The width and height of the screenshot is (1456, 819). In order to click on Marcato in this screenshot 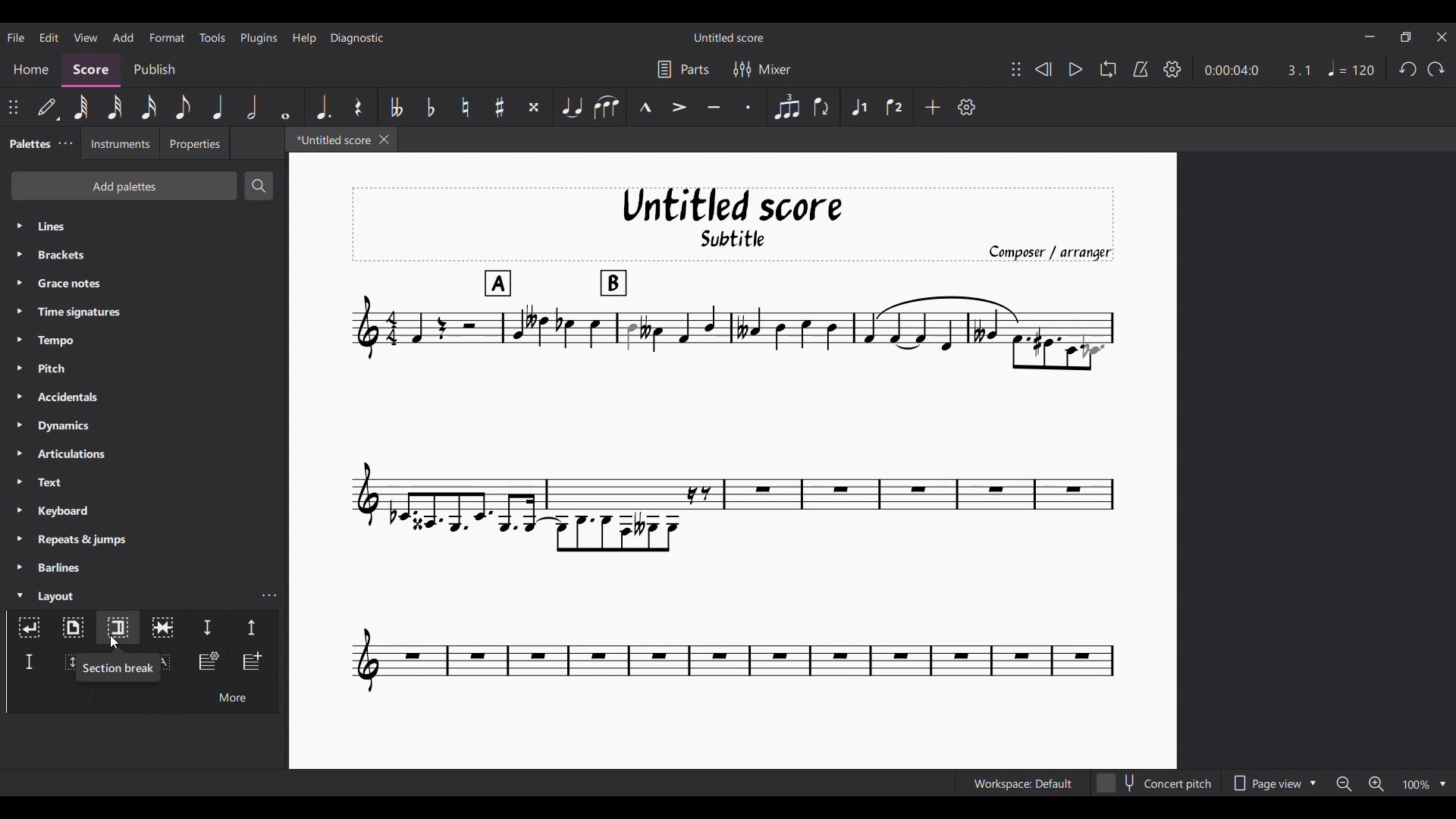, I will do `click(645, 107)`.